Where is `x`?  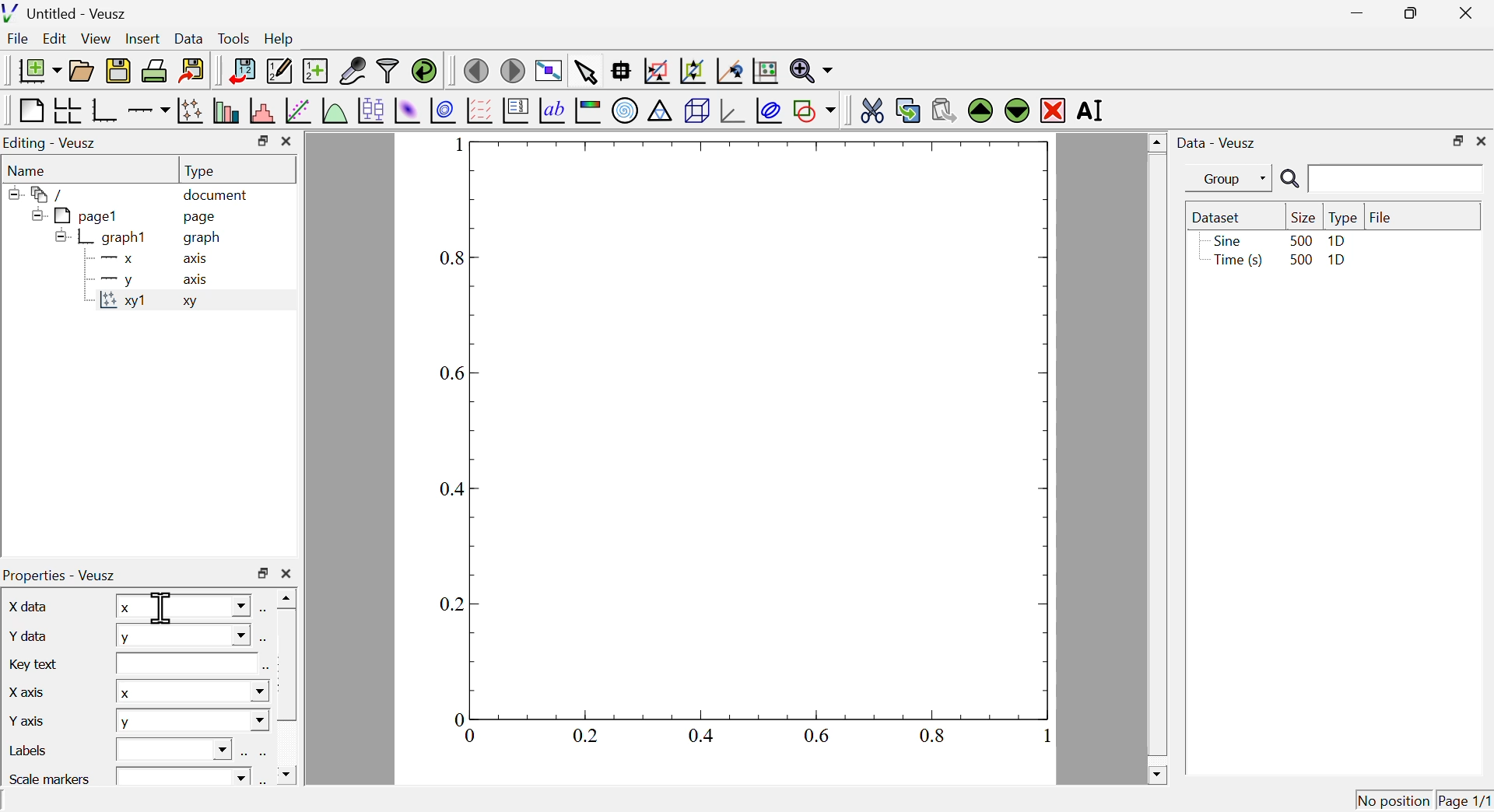 x is located at coordinates (113, 261).